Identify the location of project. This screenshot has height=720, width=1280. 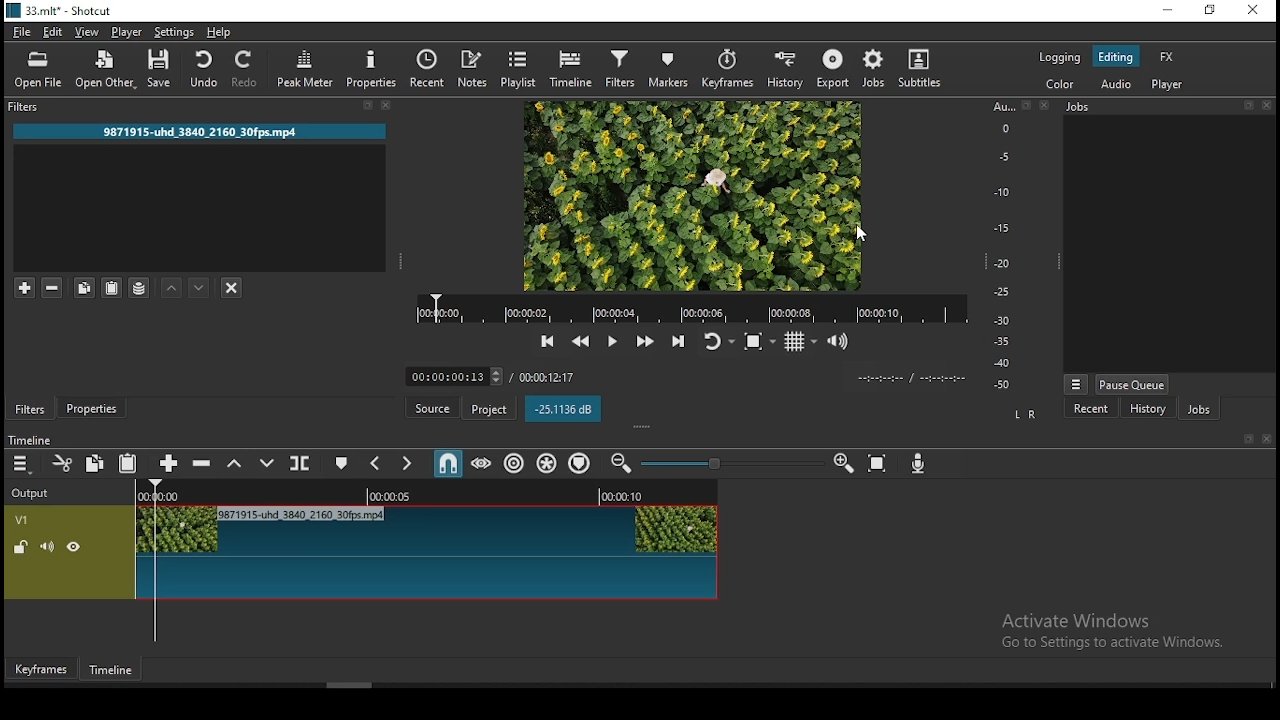
(492, 410).